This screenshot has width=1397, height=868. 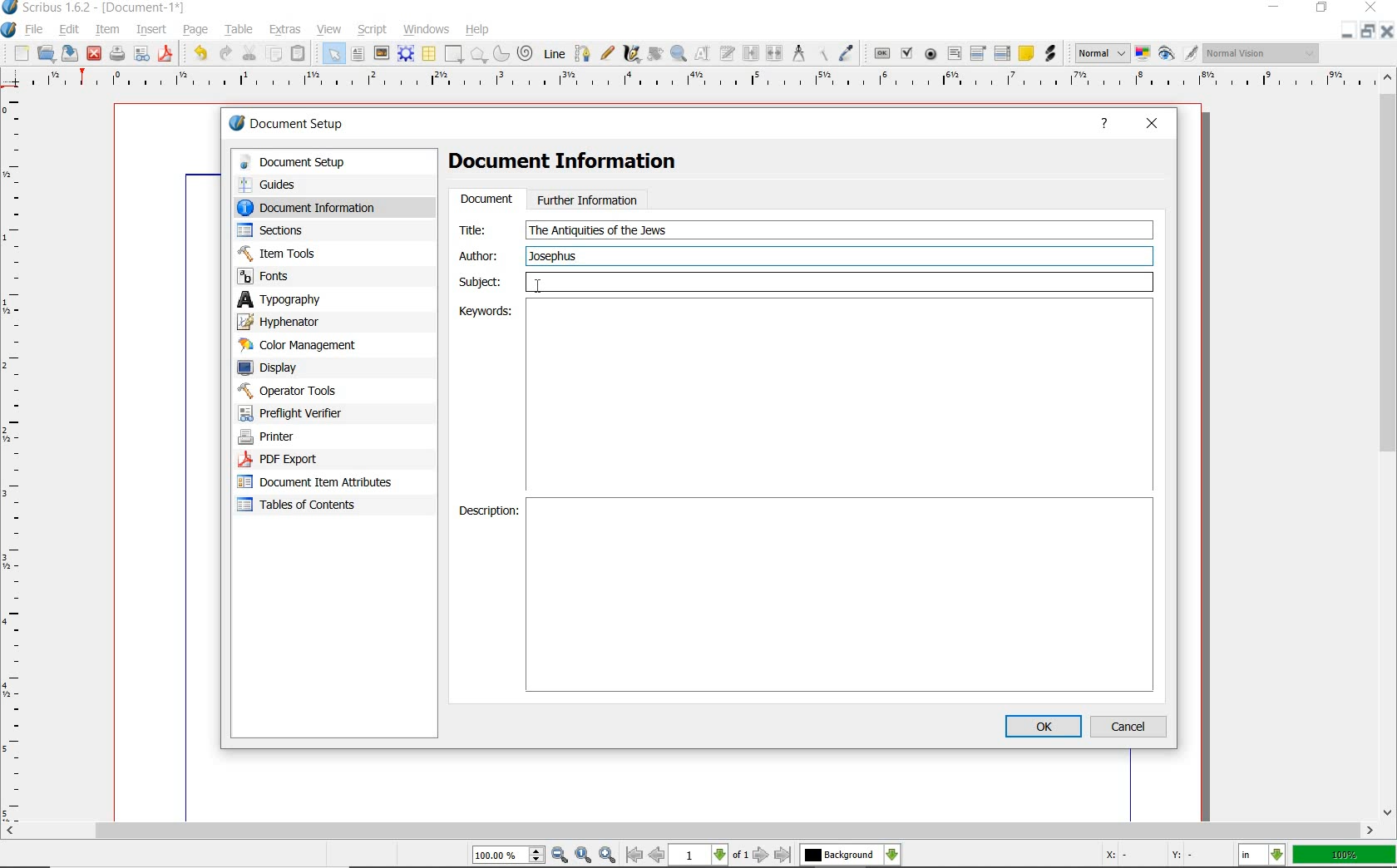 What do you see at coordinates (842, 595) in the screenshot?
I see `Description` at bounding box center [842, 595].